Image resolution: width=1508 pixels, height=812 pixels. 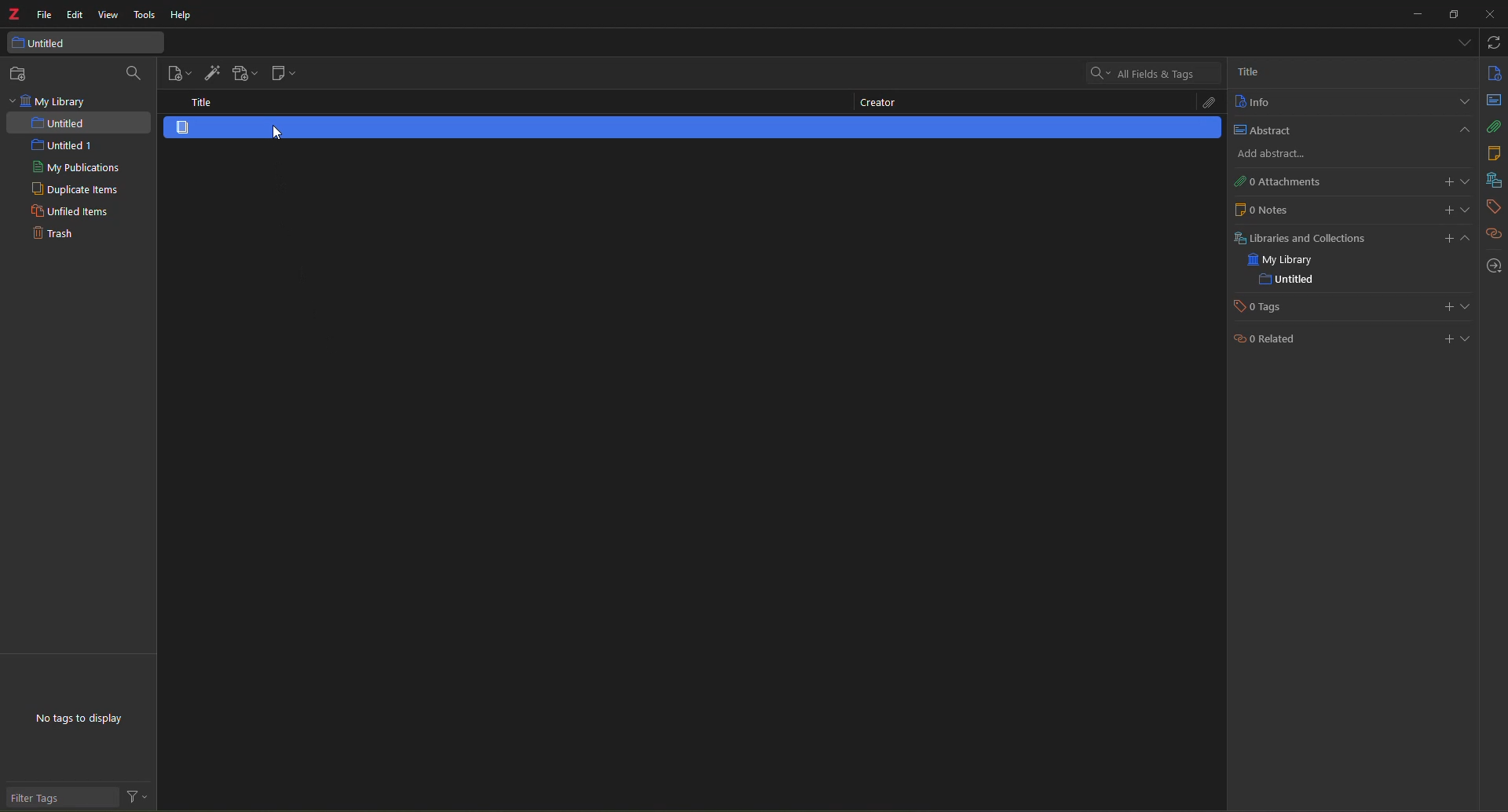 What do you see at coordinates (1286, 280) in the screenshot?
I see `untitled` at bounding box center [1286, 280].